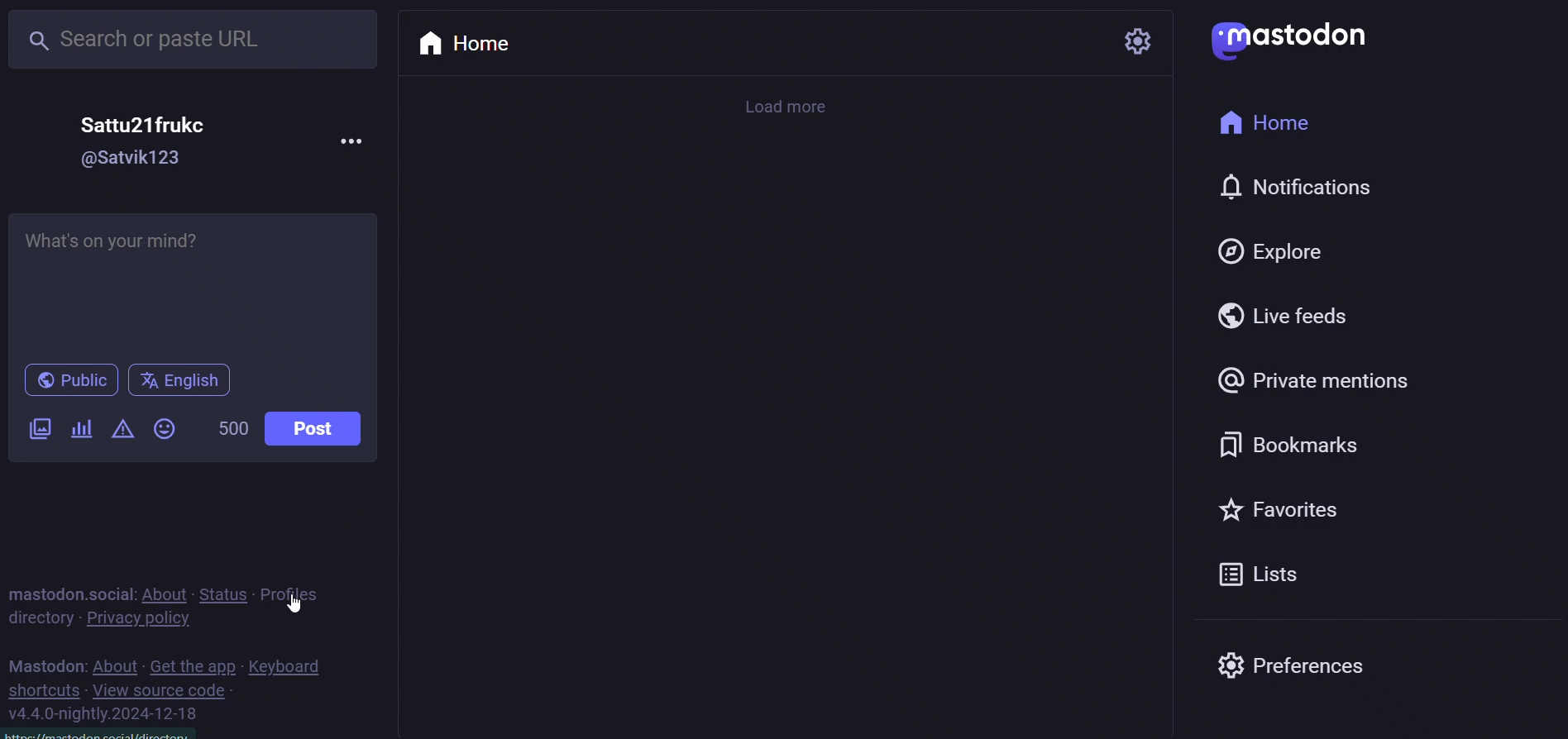 This screenshot has width=1568, height=739. I want to click on more, so click(351, 145).